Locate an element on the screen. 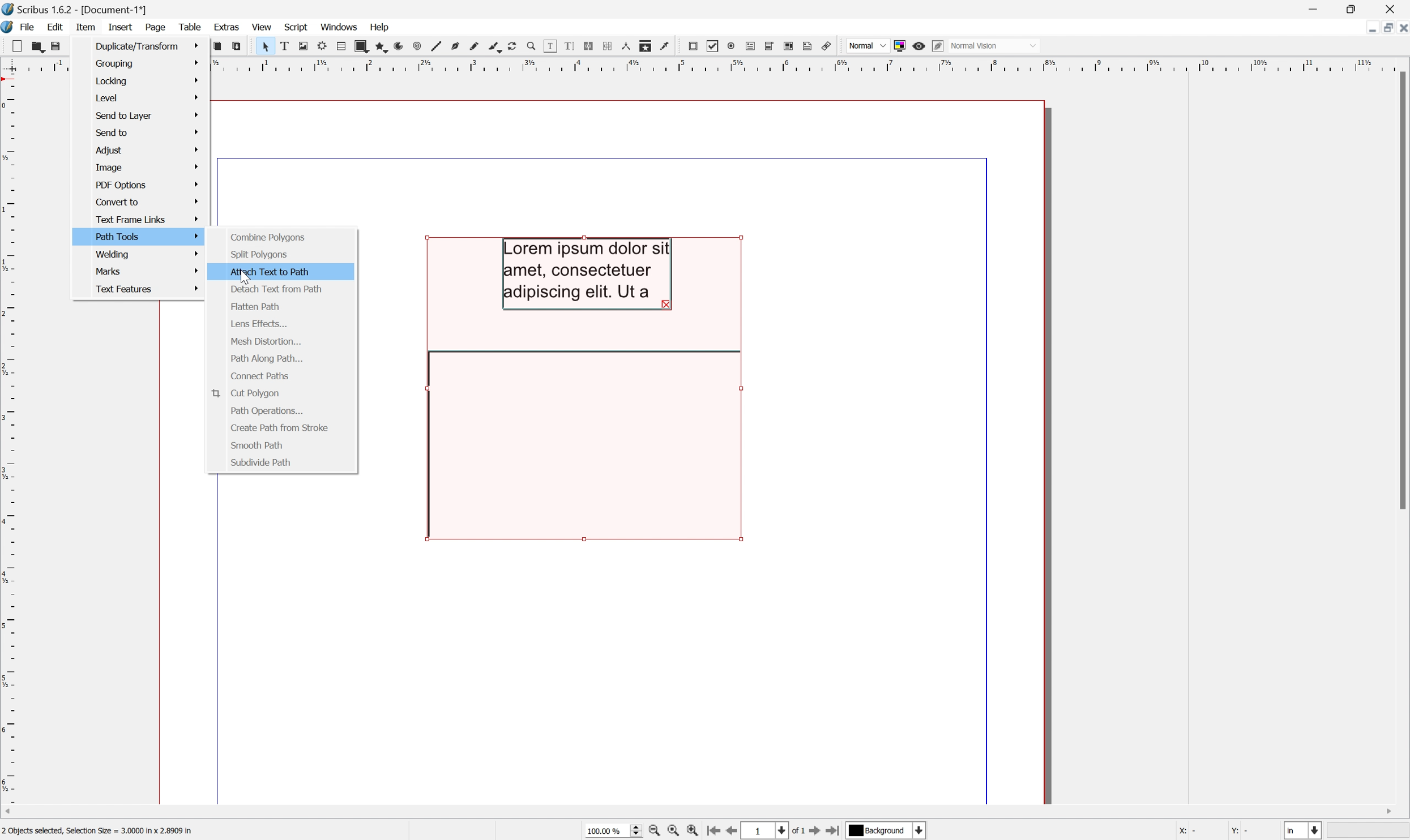  Grouping is located at coordinates (148, 63).